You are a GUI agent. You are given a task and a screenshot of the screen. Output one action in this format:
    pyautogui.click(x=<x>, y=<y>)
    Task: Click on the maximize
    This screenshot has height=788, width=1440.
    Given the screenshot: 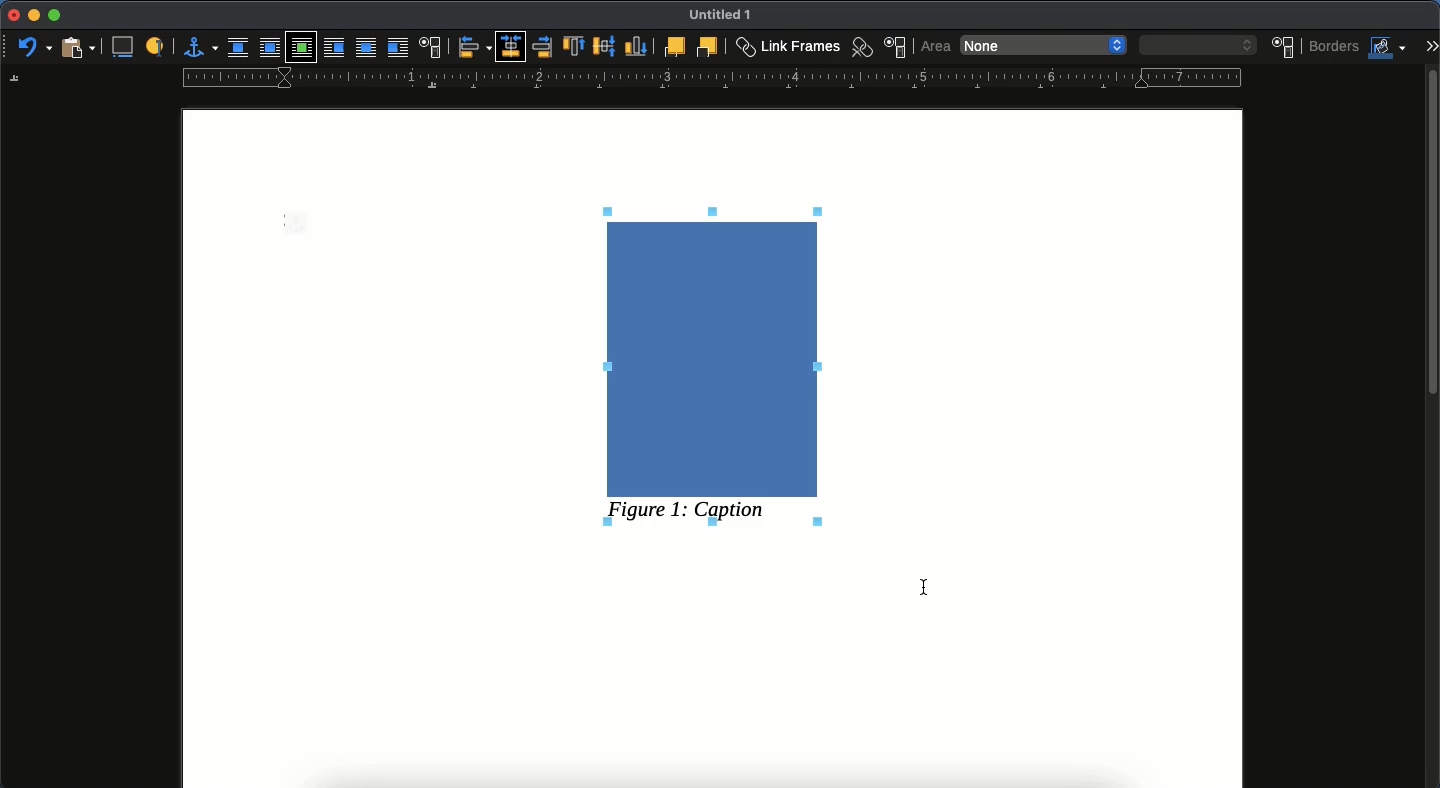 What is the action you would take?
    pyautogui.click(x=56, y=17)
    